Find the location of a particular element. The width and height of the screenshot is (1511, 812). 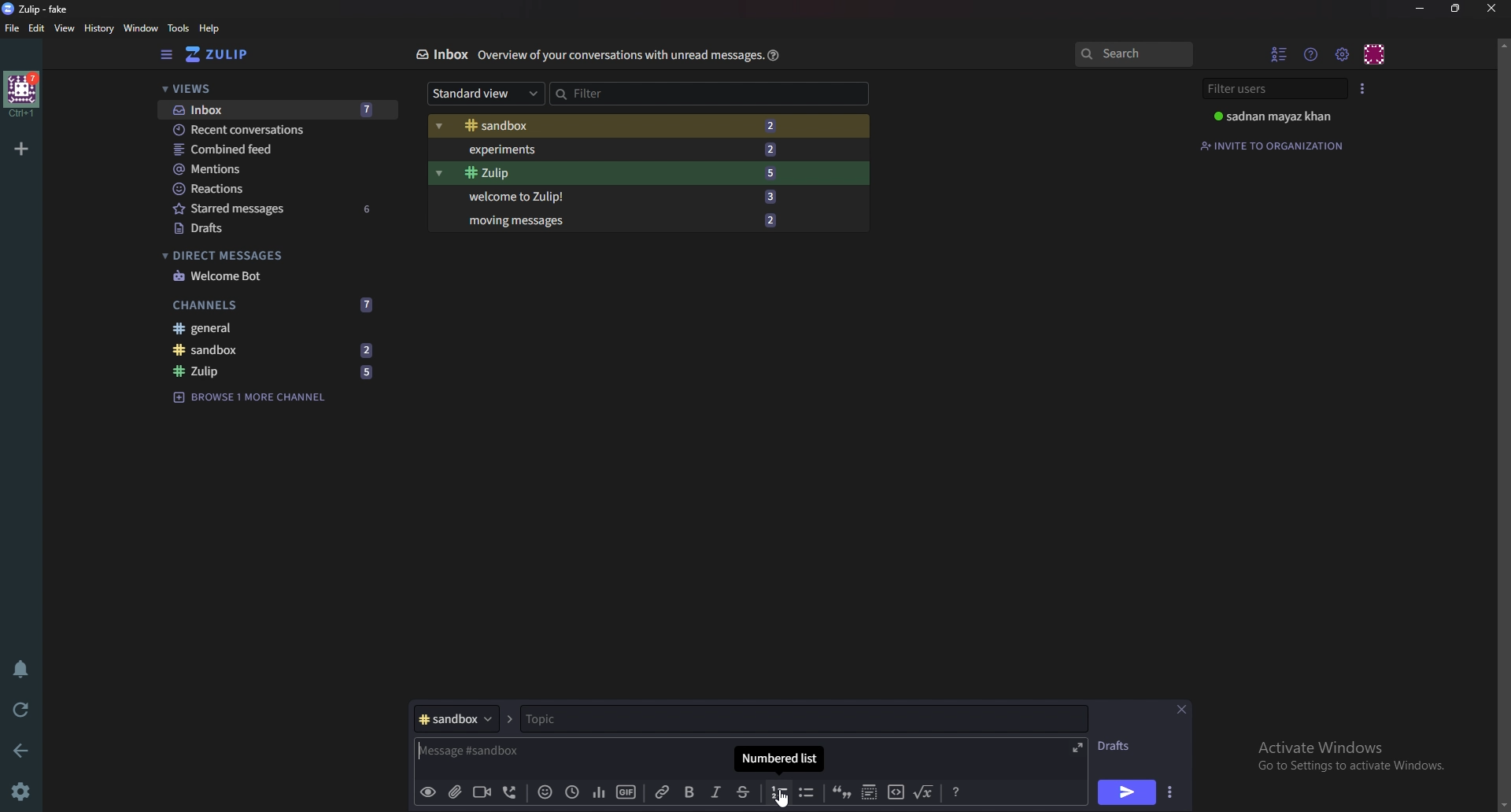

Help menu is located at coordinates (1313, 54).